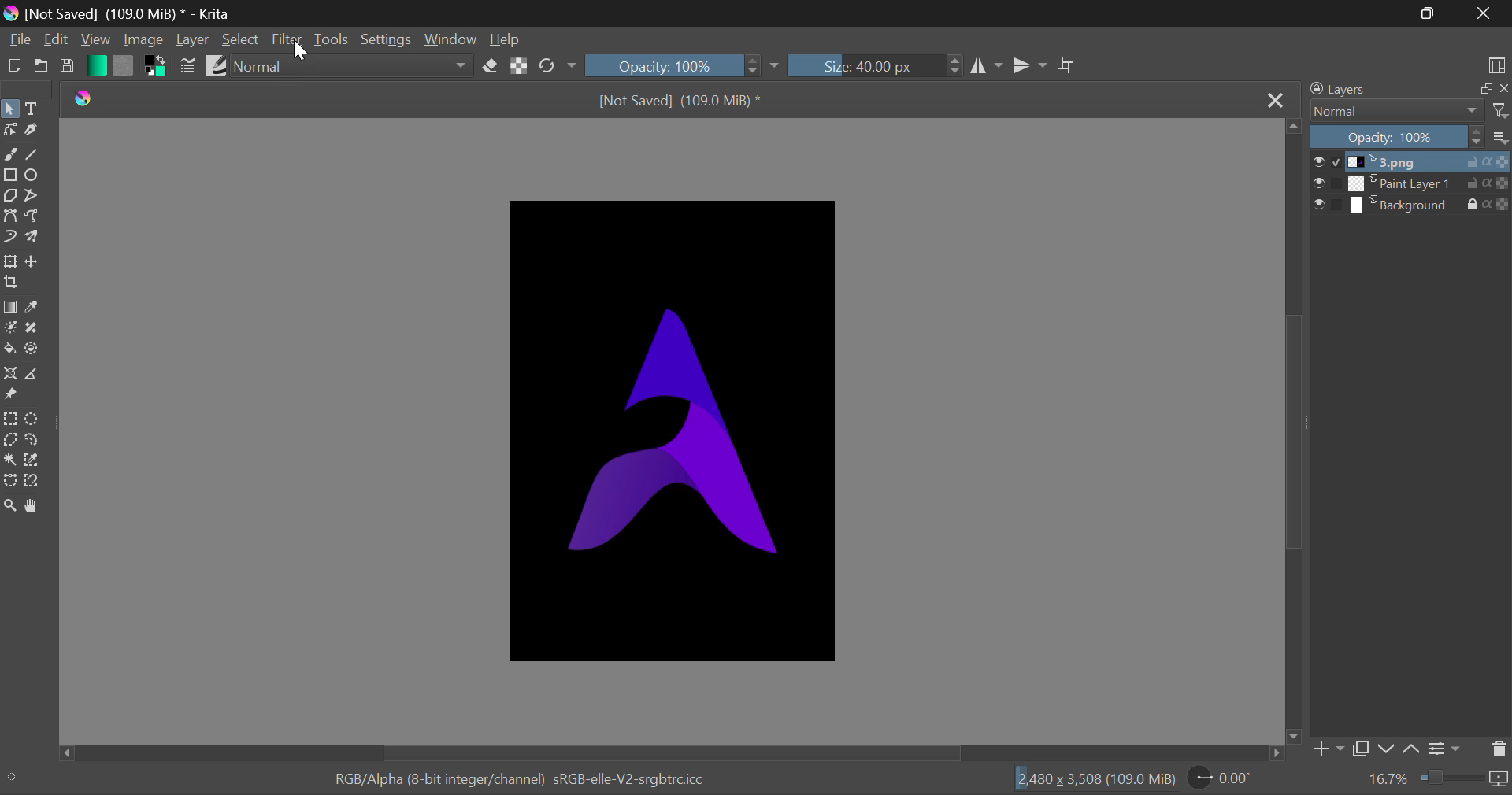  What do you see at coordinates (1496, 65) in the screenshot?
I see `Choose Workspace` at bounding box center [1496, 65].